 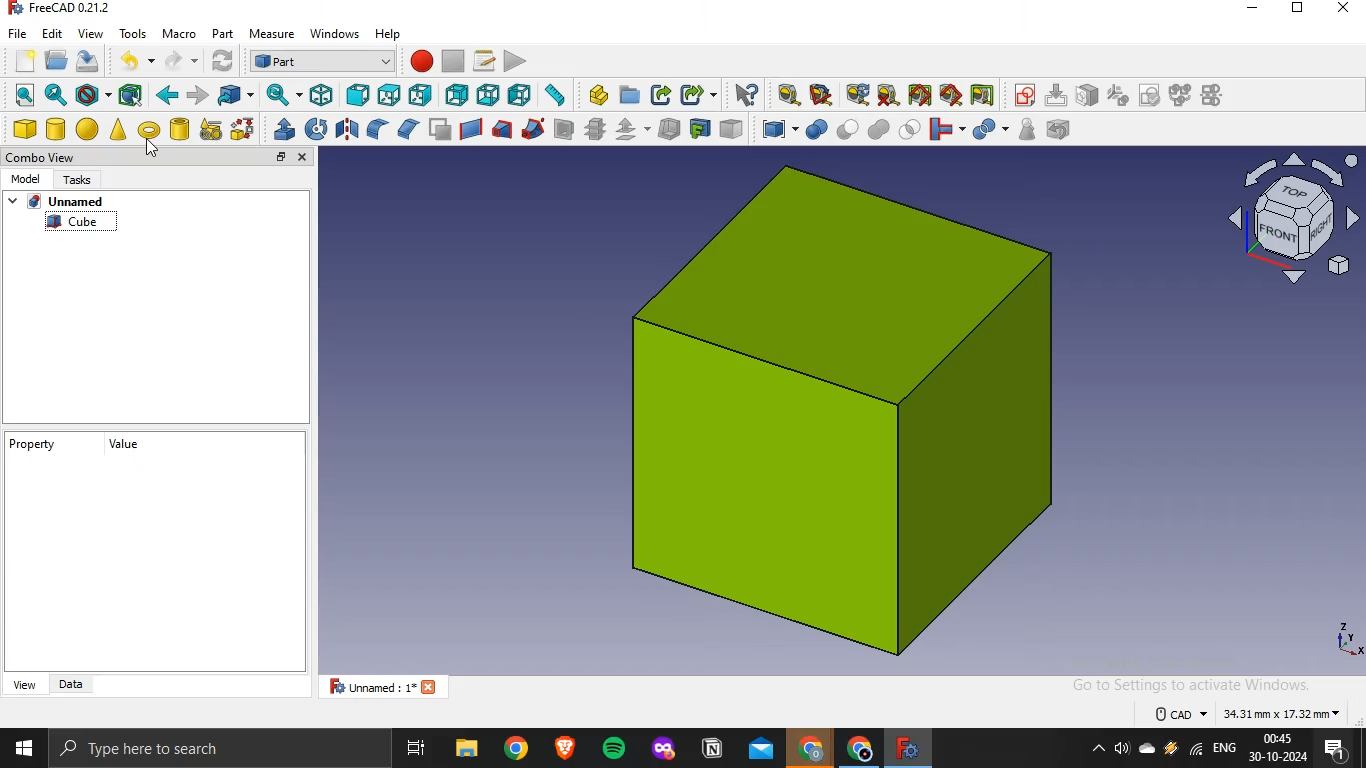 I want to click on value, so click(x=122, y=444).